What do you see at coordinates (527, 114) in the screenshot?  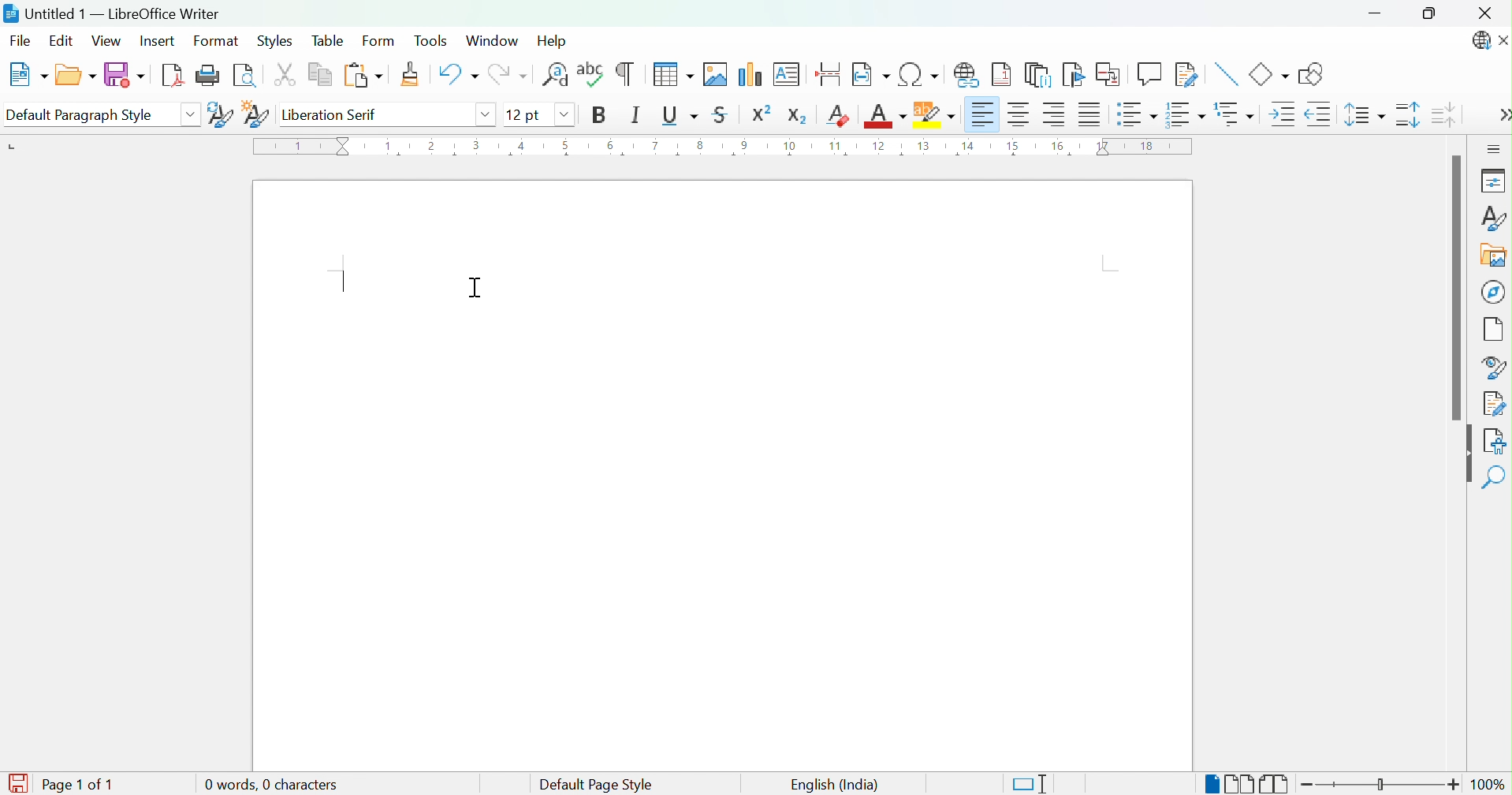 I see `12 pt` at bounding box center [527, 114].